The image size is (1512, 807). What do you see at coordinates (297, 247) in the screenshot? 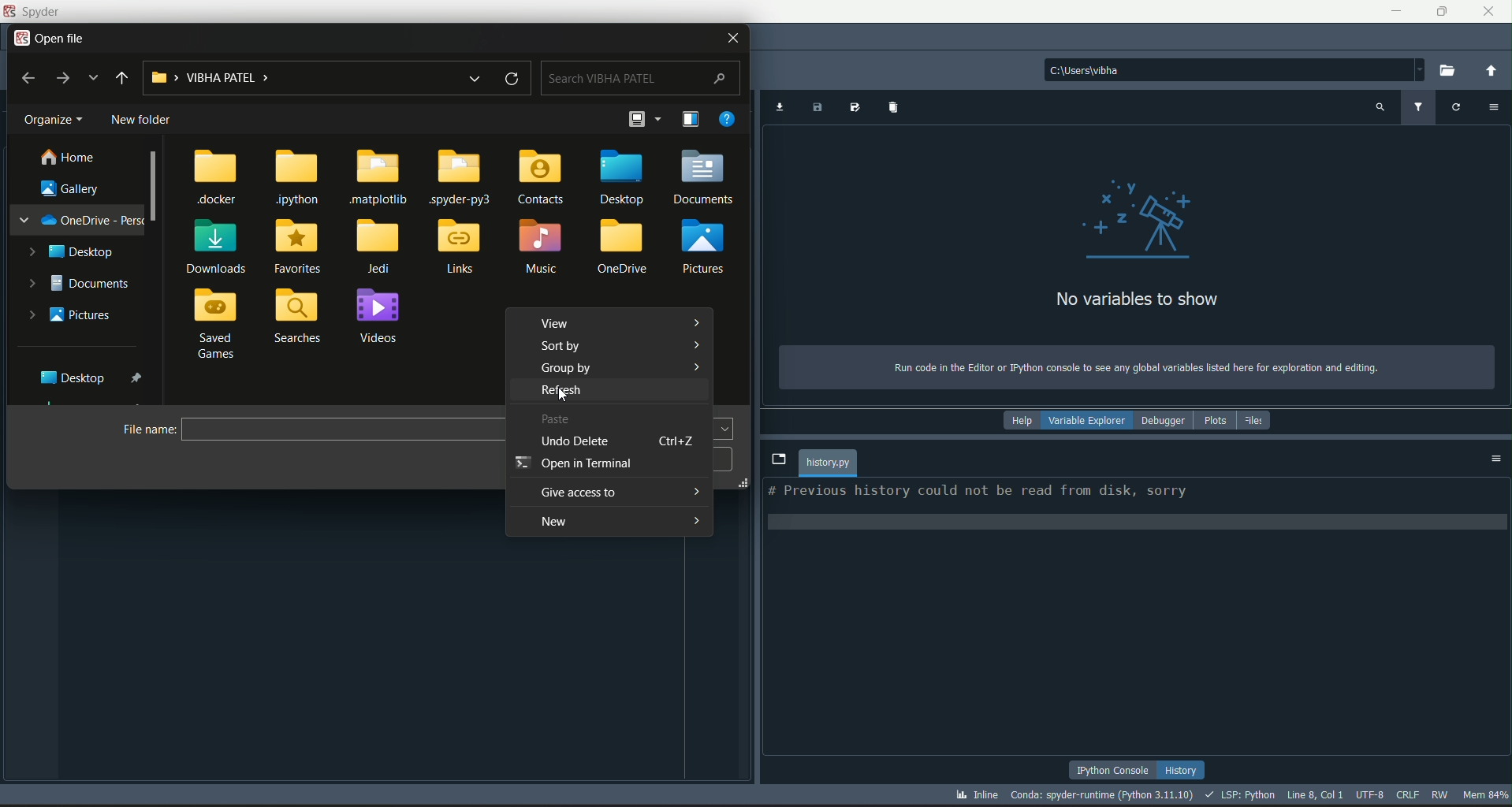
I see `favorites` at bounding box center [297, 247].